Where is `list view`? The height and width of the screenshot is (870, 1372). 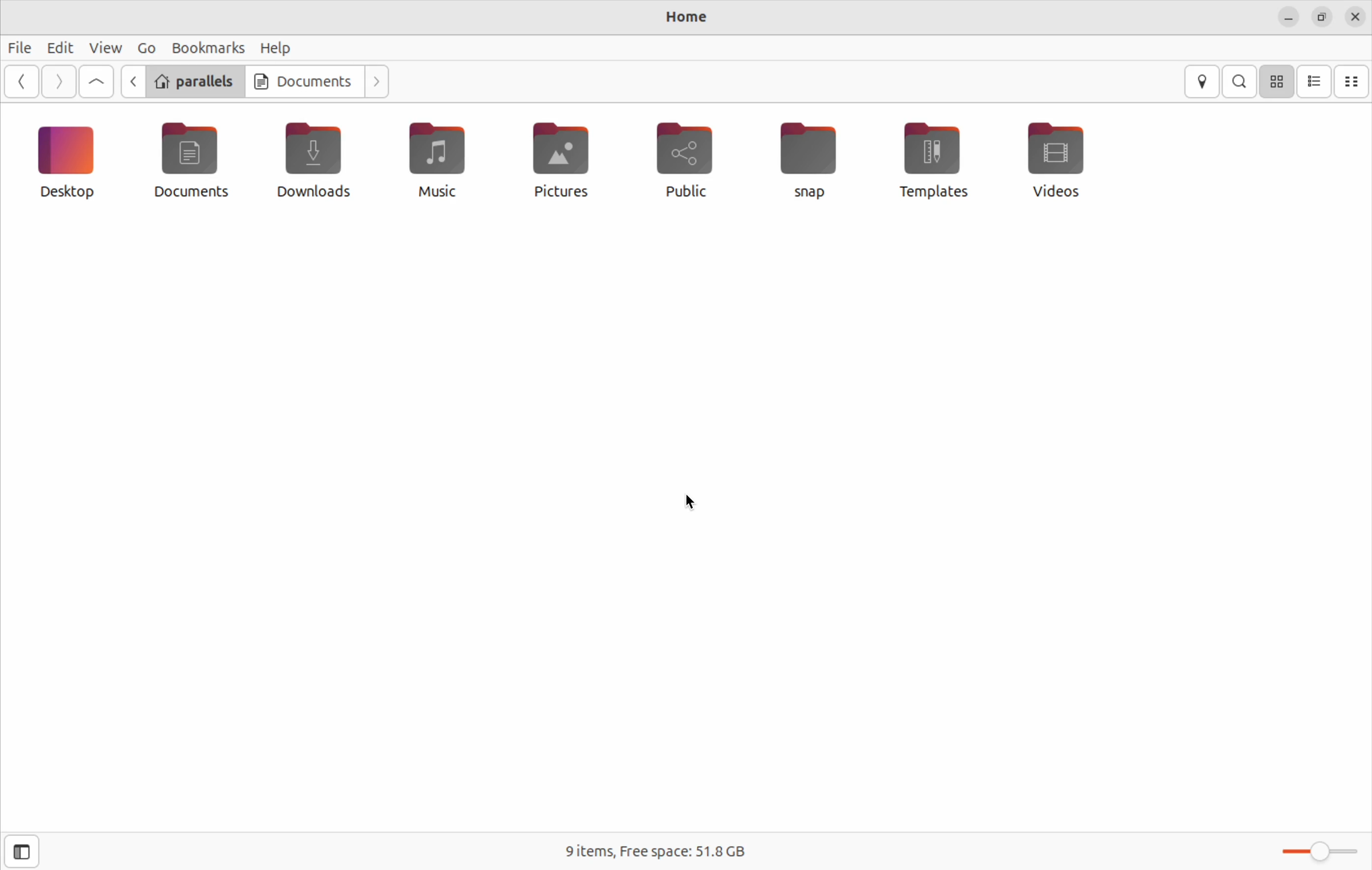 list view is located at coordinates (1316, 83).